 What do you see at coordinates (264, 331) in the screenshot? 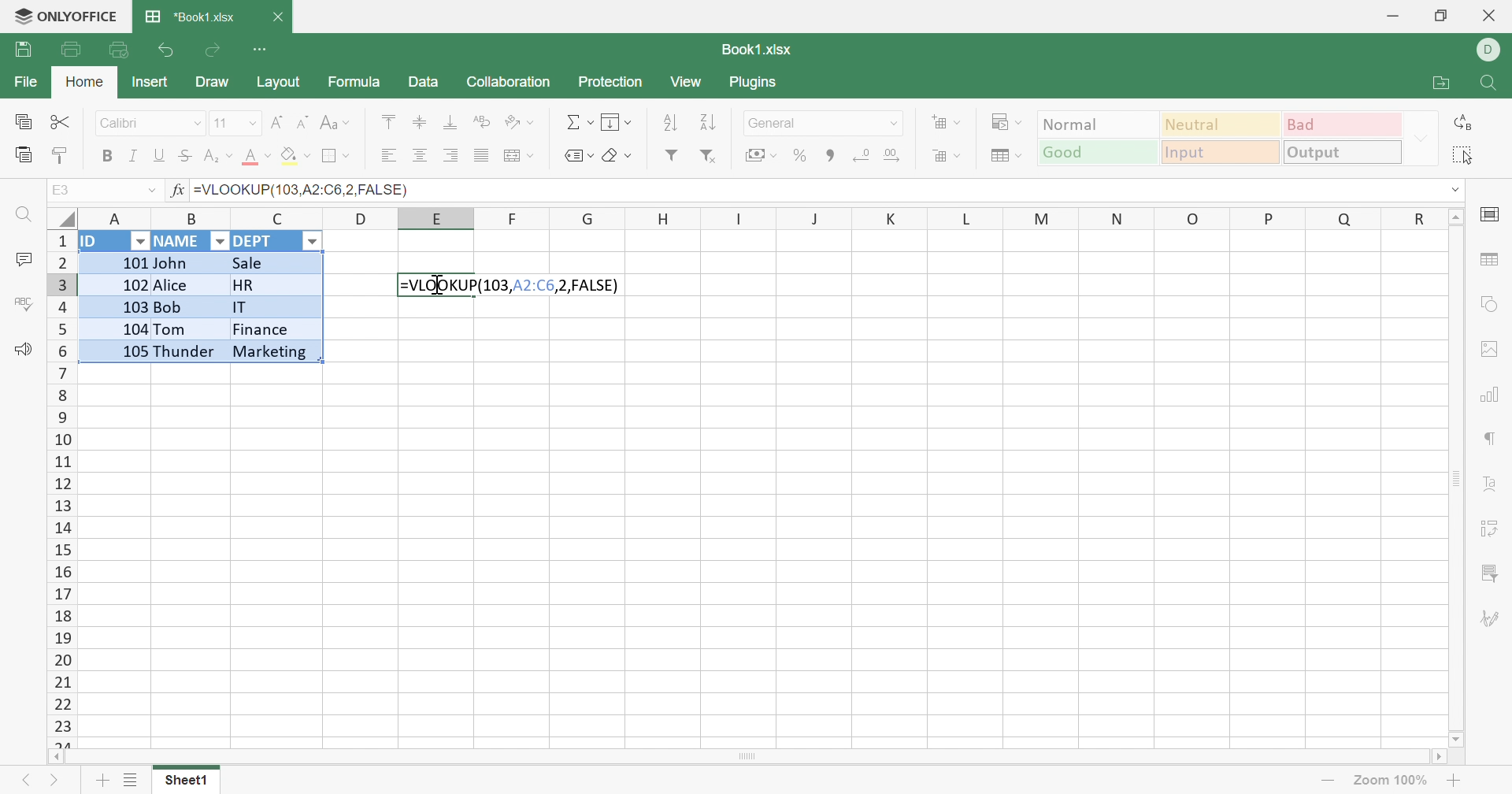
I see `Finance` at bounding box center [264, 331].